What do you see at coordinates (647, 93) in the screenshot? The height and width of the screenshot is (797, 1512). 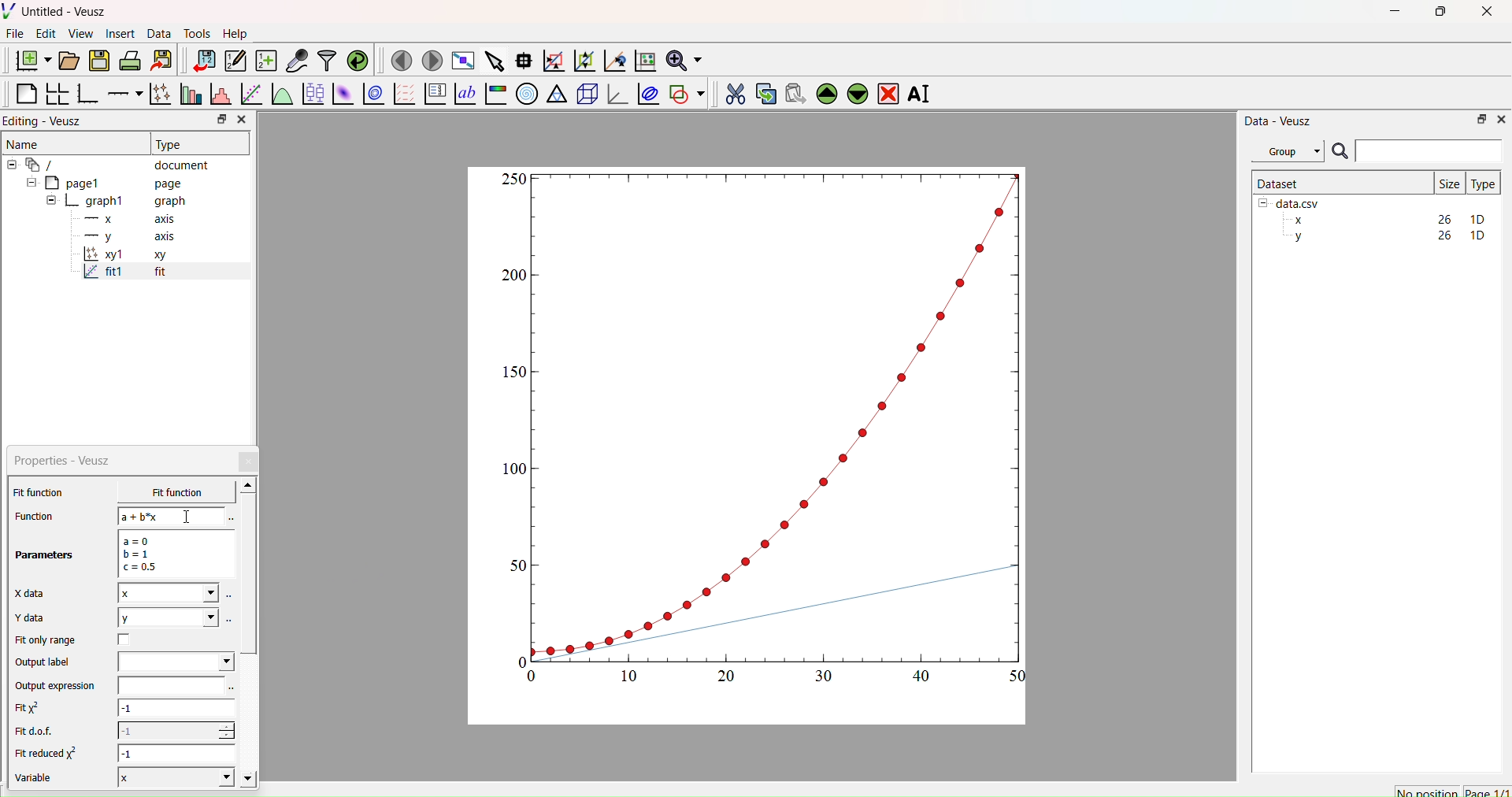 I see `Plot covariance ellipses` at bounding box center [647, 93].